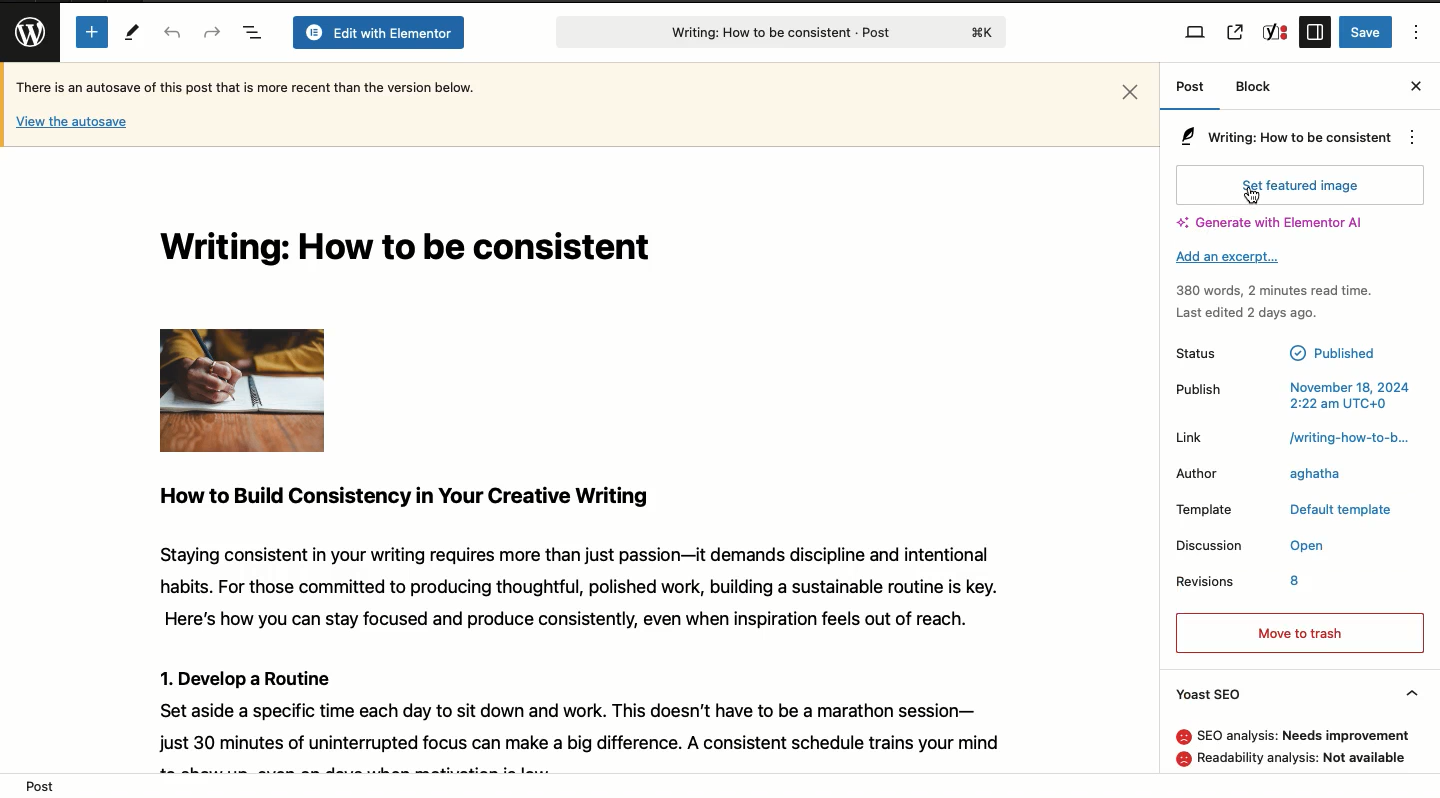  What do you see at coordinates (1409, 136) in the screenshot?
I see `Options` at bounding box center [1409, 136].